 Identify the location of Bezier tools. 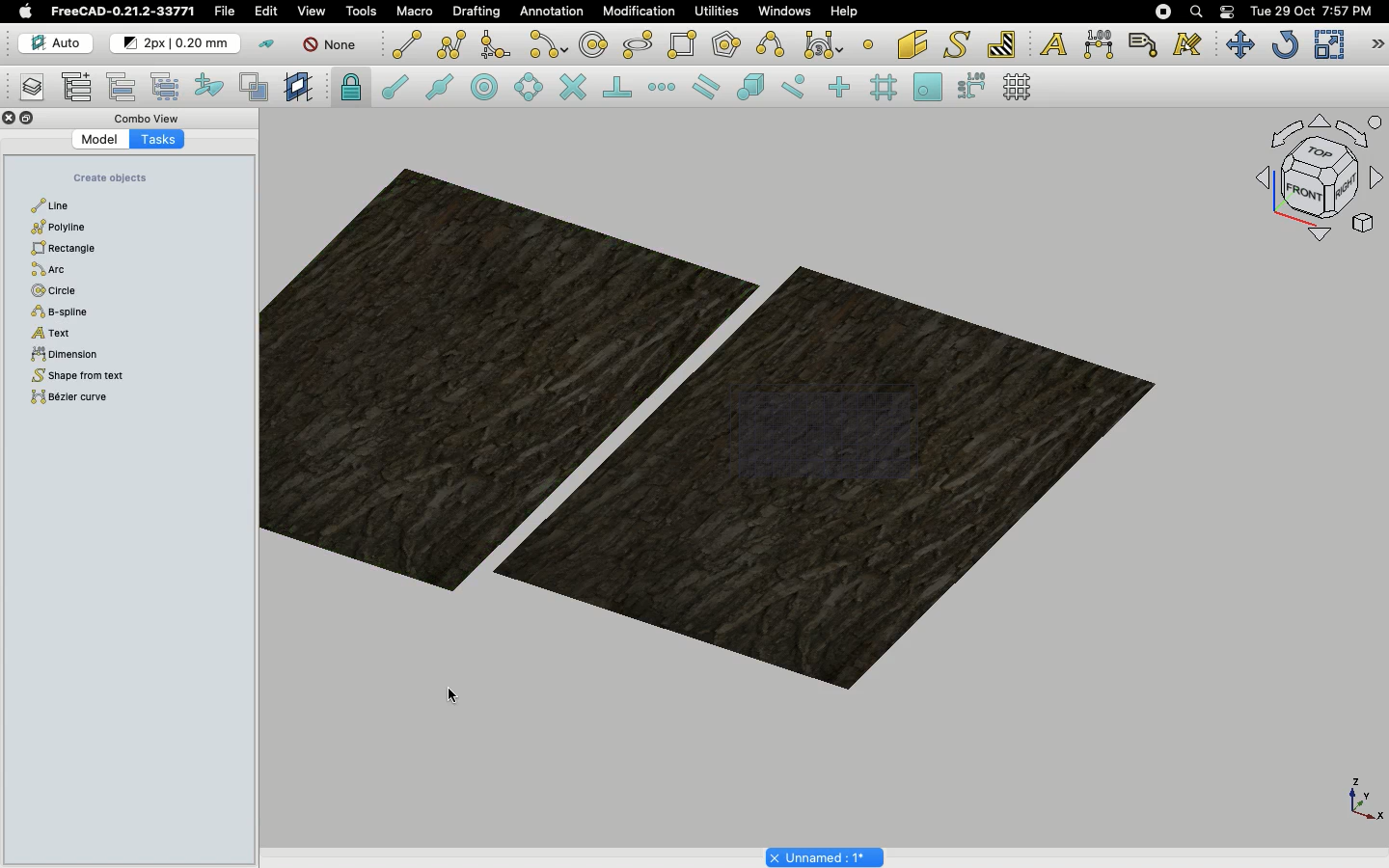
(826, 44).